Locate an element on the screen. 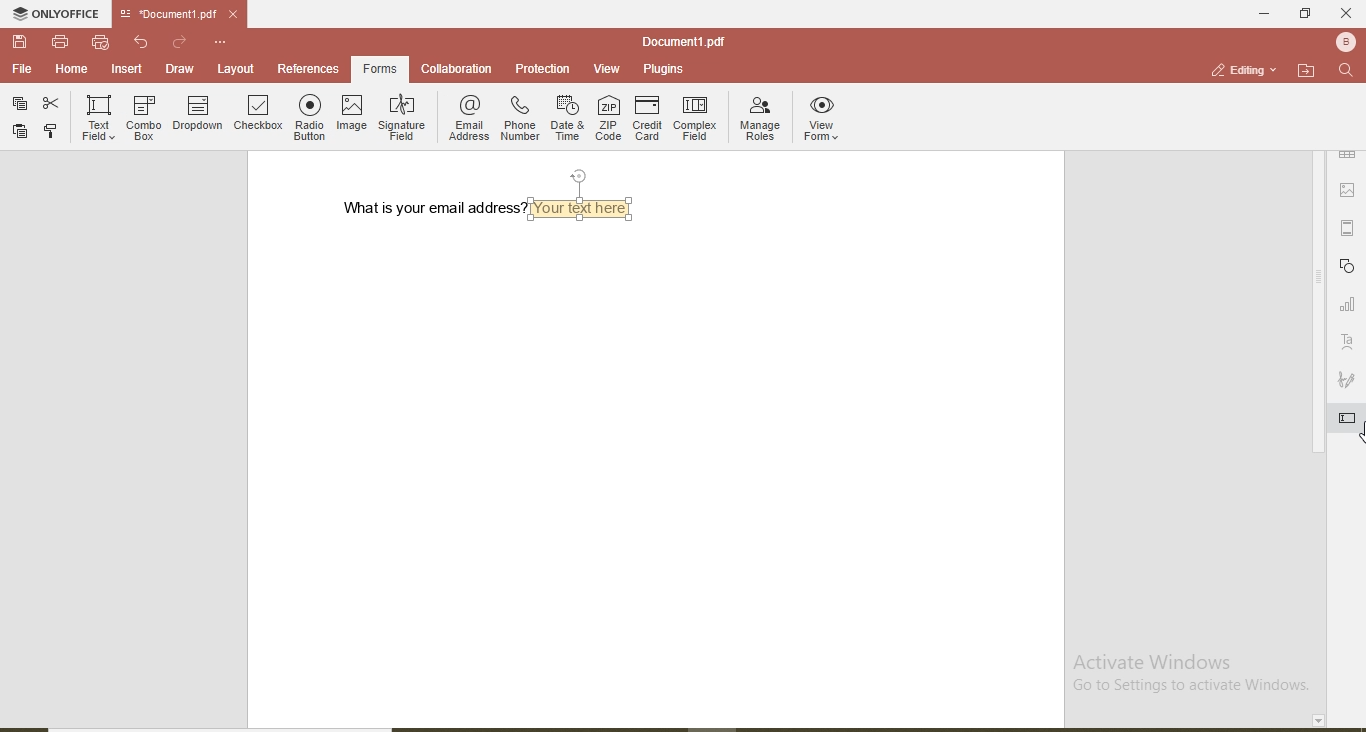  copy is located at coordinates (50, 130).